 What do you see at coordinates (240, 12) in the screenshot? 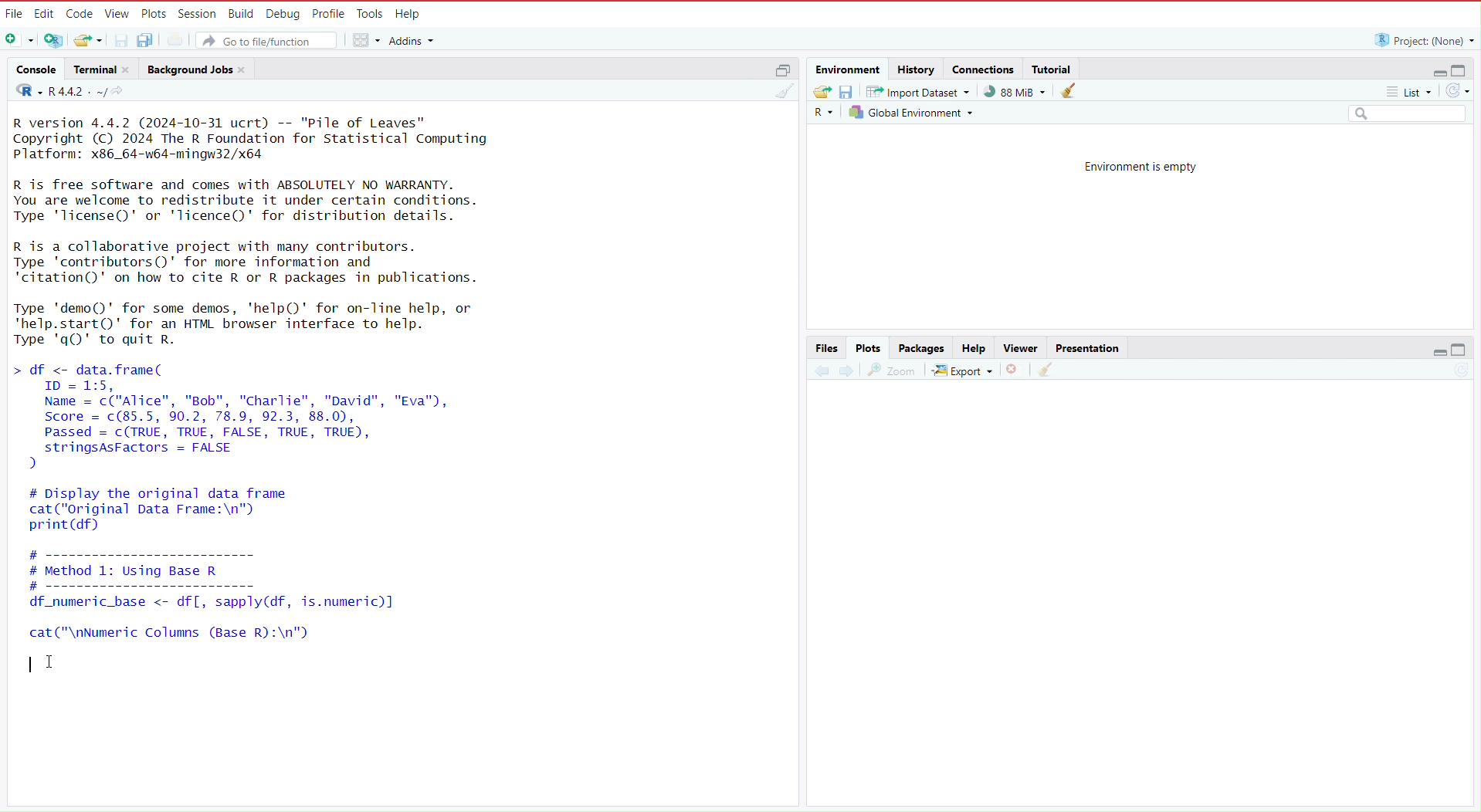
I see `Build` at bounding box center [240, 12].